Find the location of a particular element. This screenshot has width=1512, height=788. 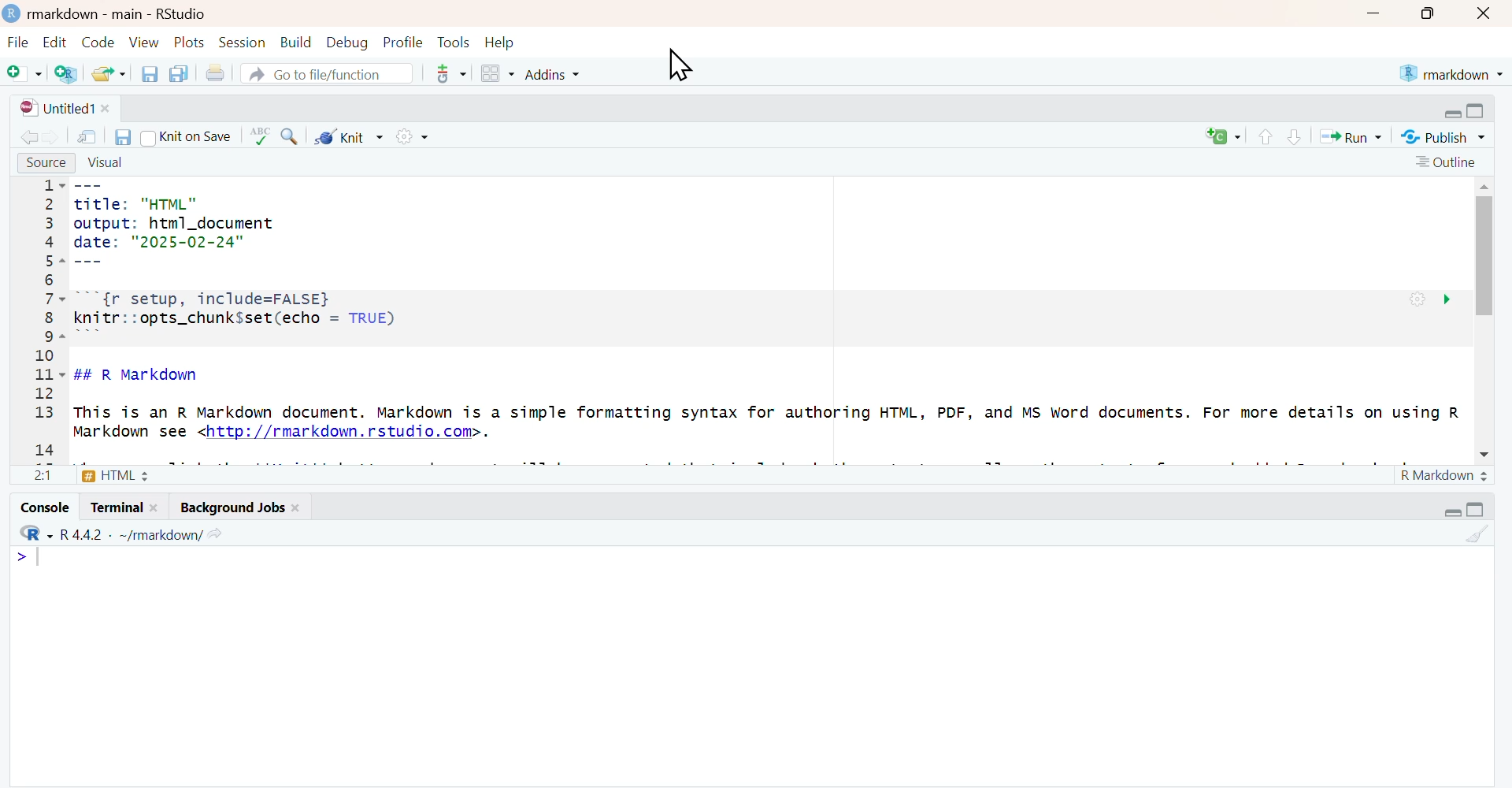

Go forward to next source location is located at coordinates (52, 136).